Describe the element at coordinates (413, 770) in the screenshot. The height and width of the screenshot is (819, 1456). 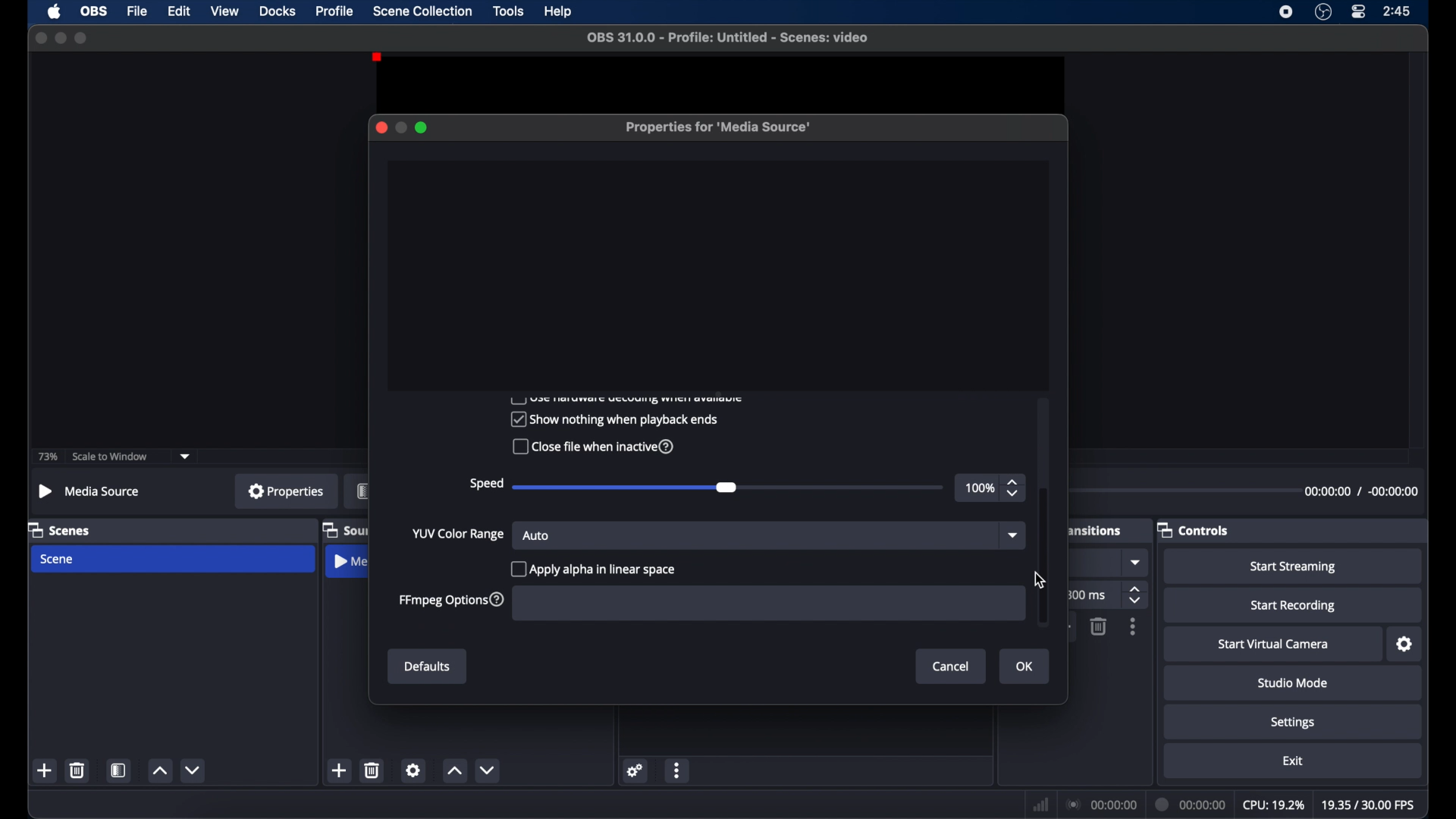
I see `settings` at that location.